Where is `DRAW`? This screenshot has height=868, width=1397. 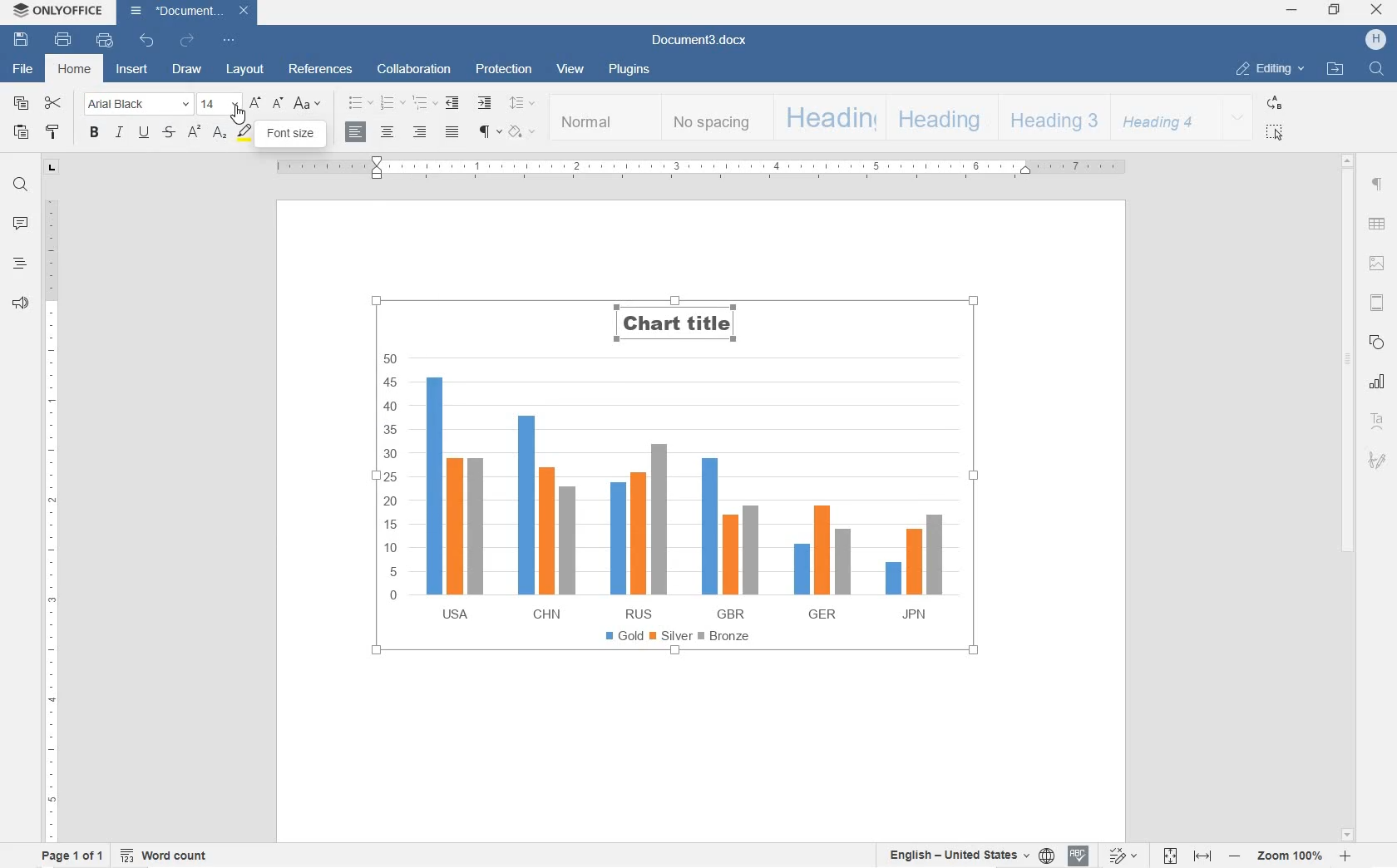 DRAW is located at coordinates (187, 71).